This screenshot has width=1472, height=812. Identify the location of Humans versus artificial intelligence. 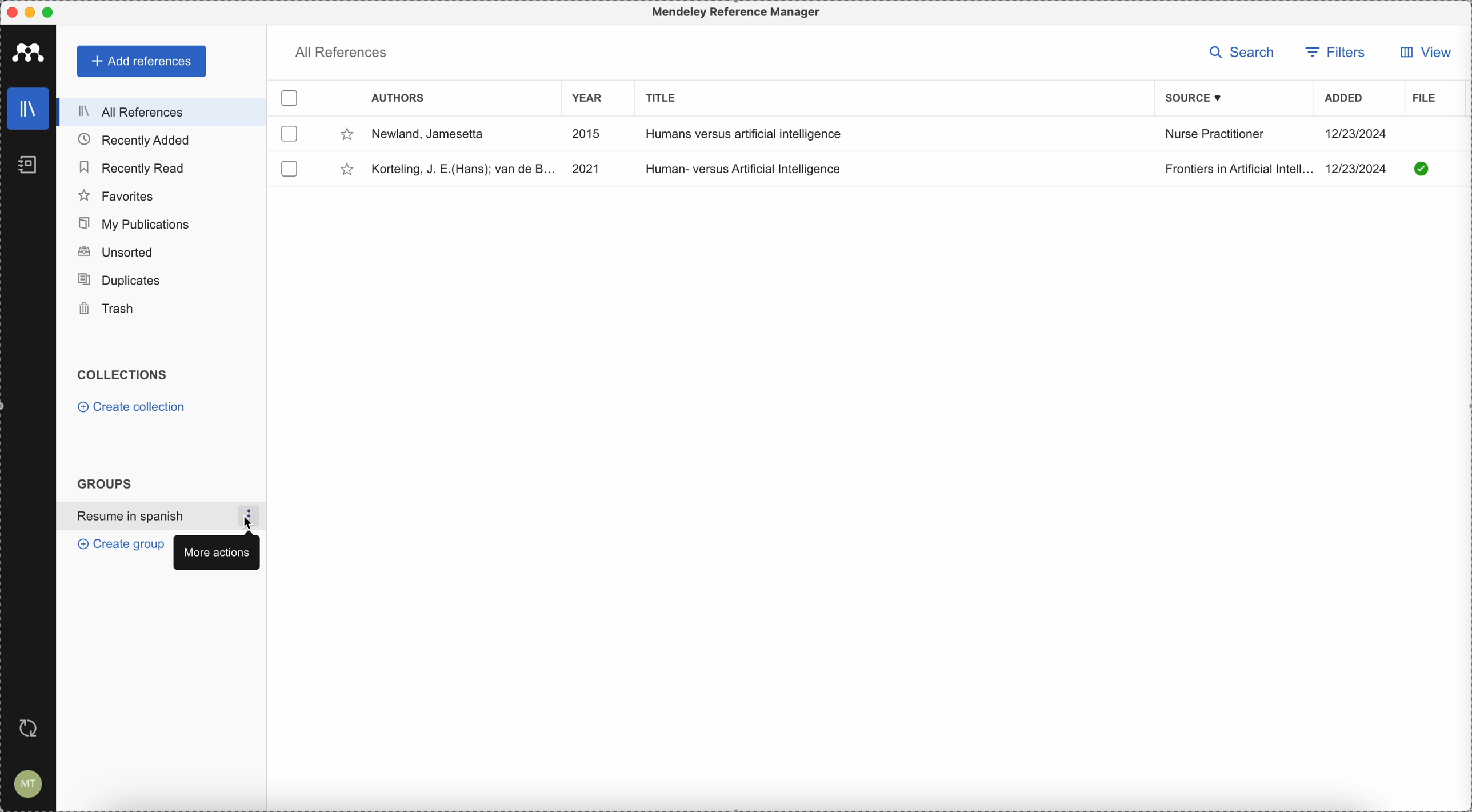
(747, 133).